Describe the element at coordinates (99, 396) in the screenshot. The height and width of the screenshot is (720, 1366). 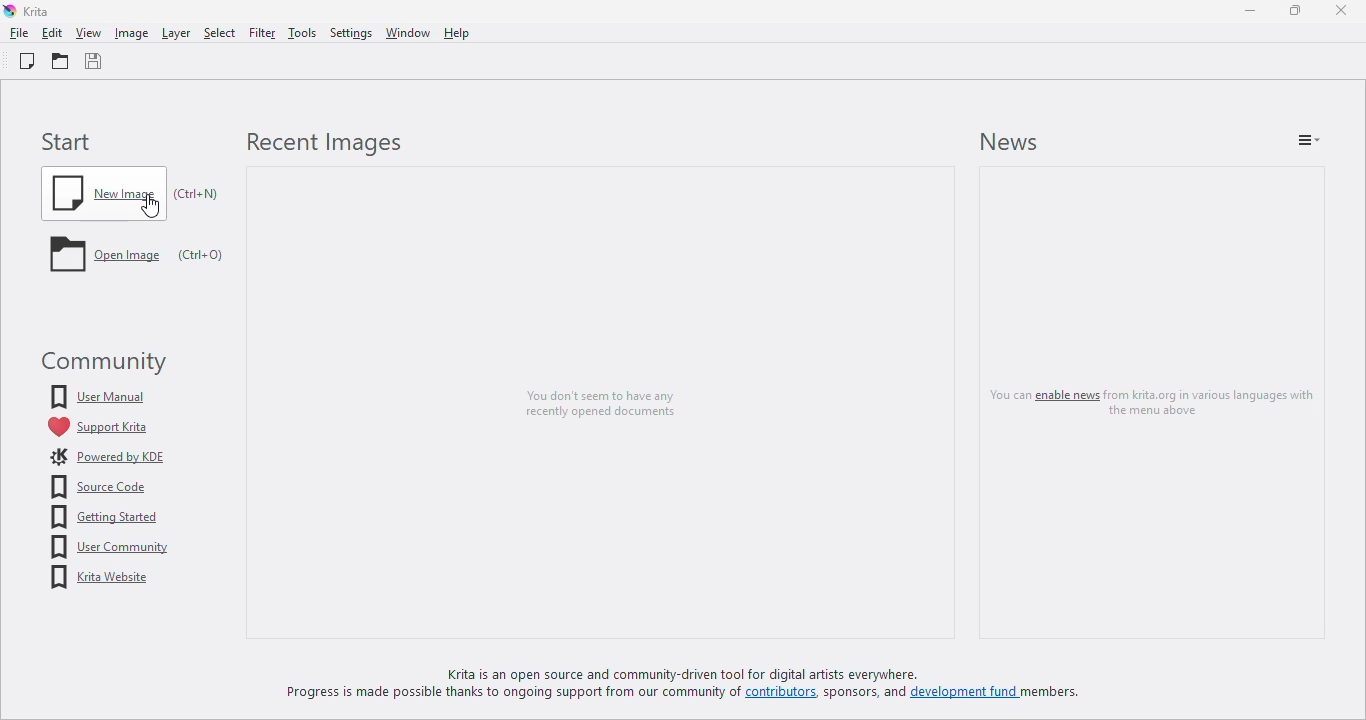
I see `user manual` at that location.